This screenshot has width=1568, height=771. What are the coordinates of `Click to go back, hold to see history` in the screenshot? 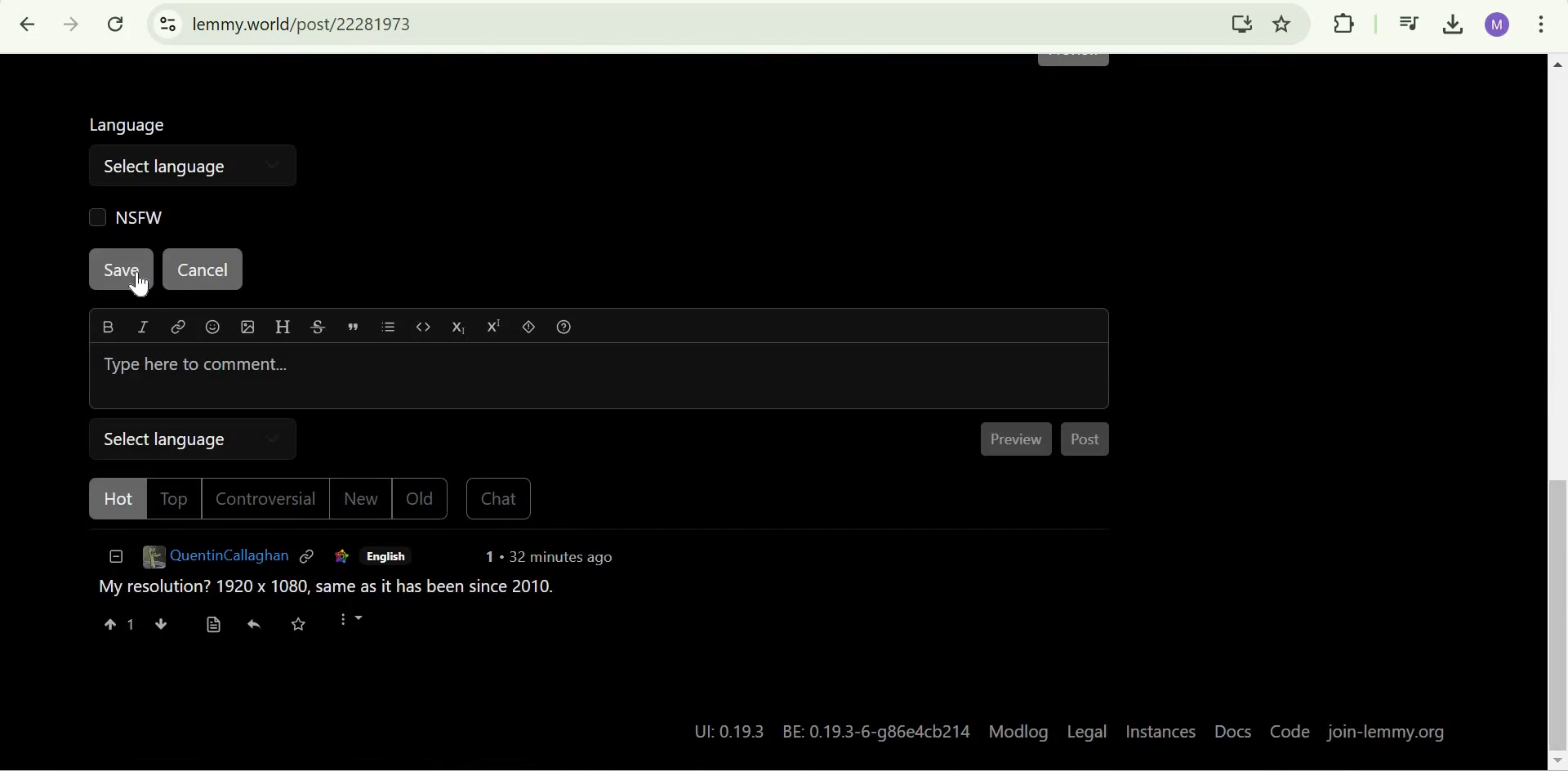 It's located at (29, 25).